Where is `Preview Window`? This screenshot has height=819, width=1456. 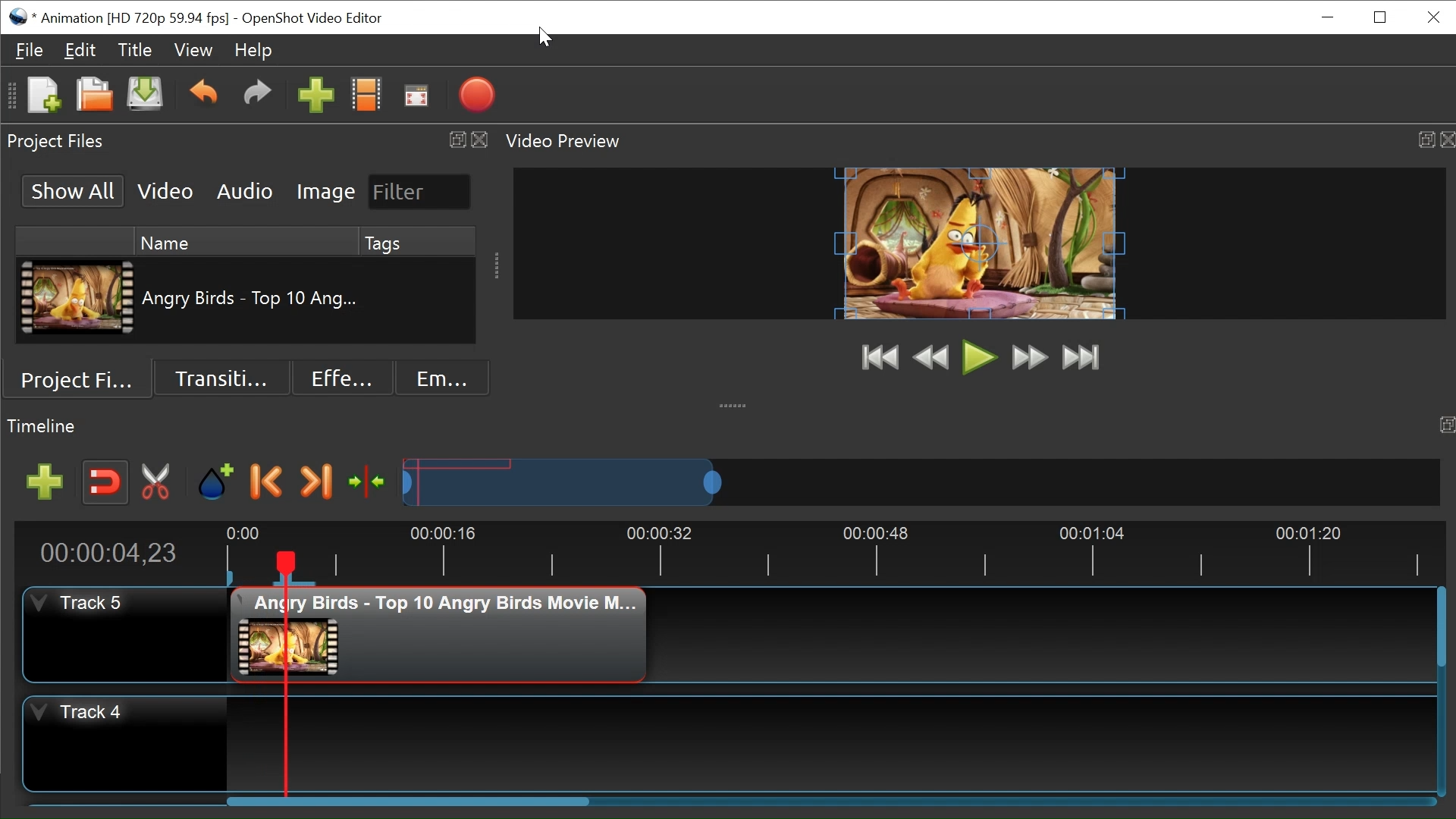
Preview Window is located at coordinates (977, 243).